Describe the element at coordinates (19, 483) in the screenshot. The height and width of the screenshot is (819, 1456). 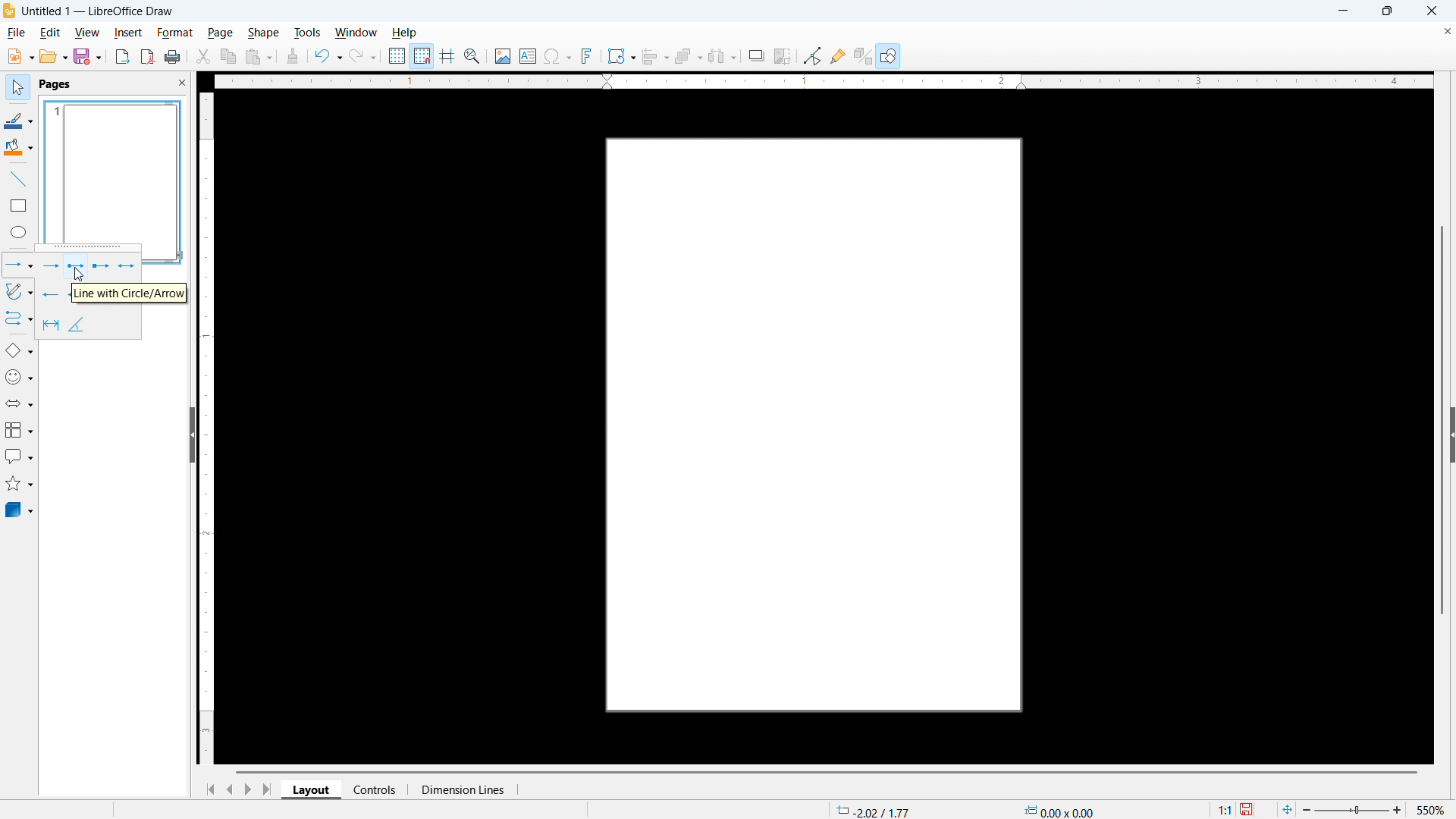
I see `stars & banners` at that location.